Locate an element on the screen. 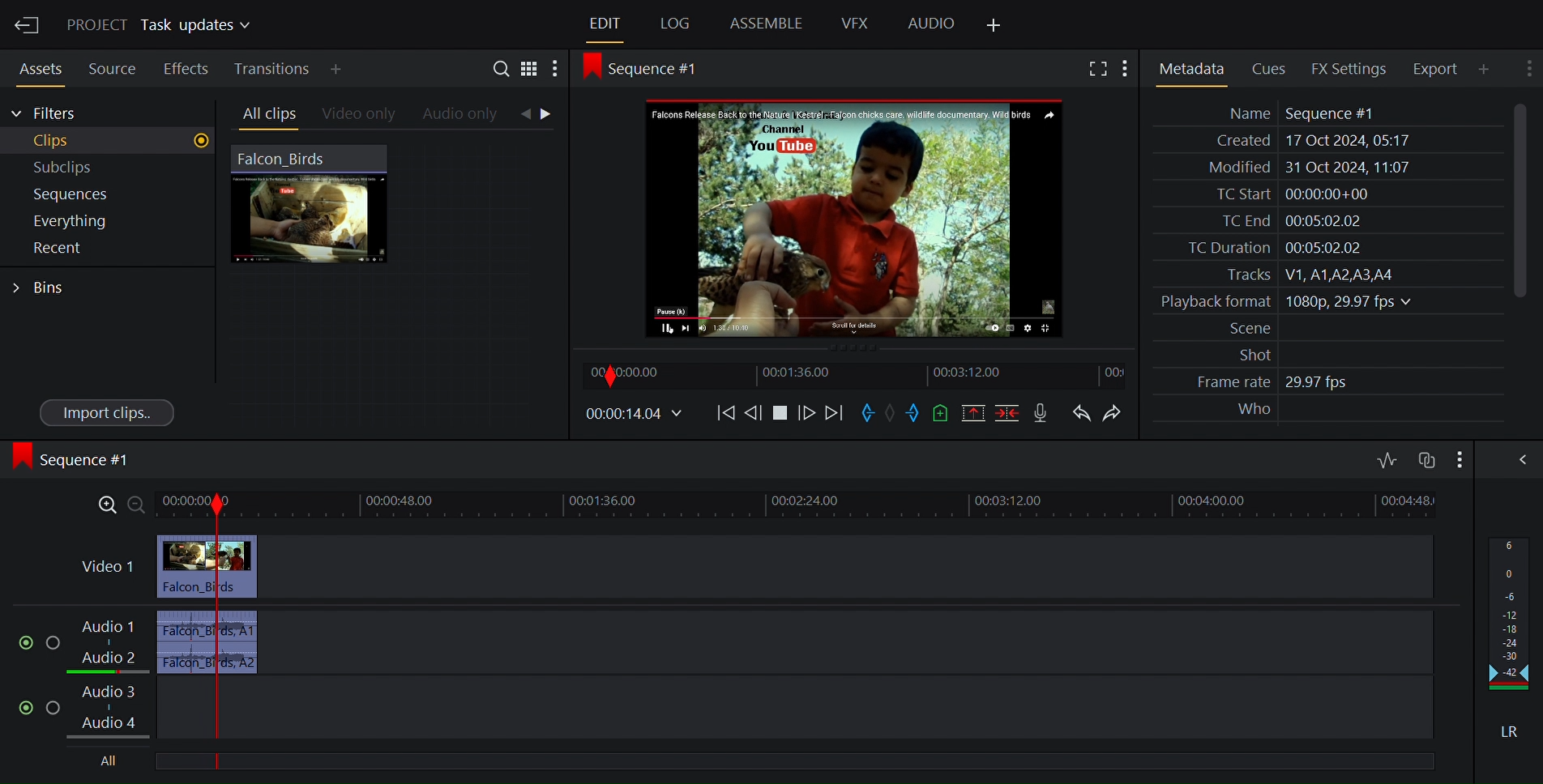 The height and width of the screenshot is (784, 1543). Sources is located at coordinates (109, 70).